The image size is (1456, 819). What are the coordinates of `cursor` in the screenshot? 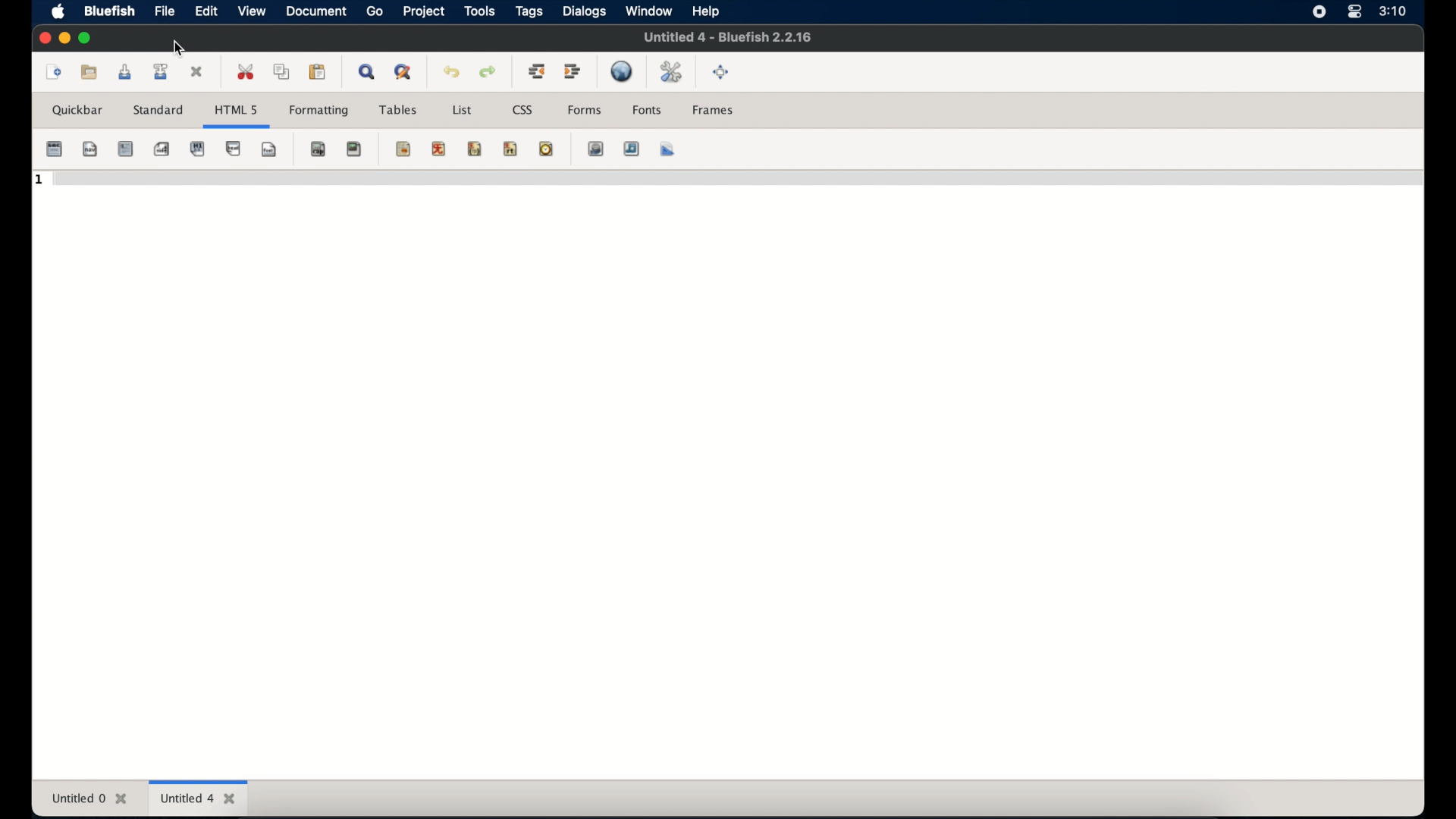 It's located at (177, 48).